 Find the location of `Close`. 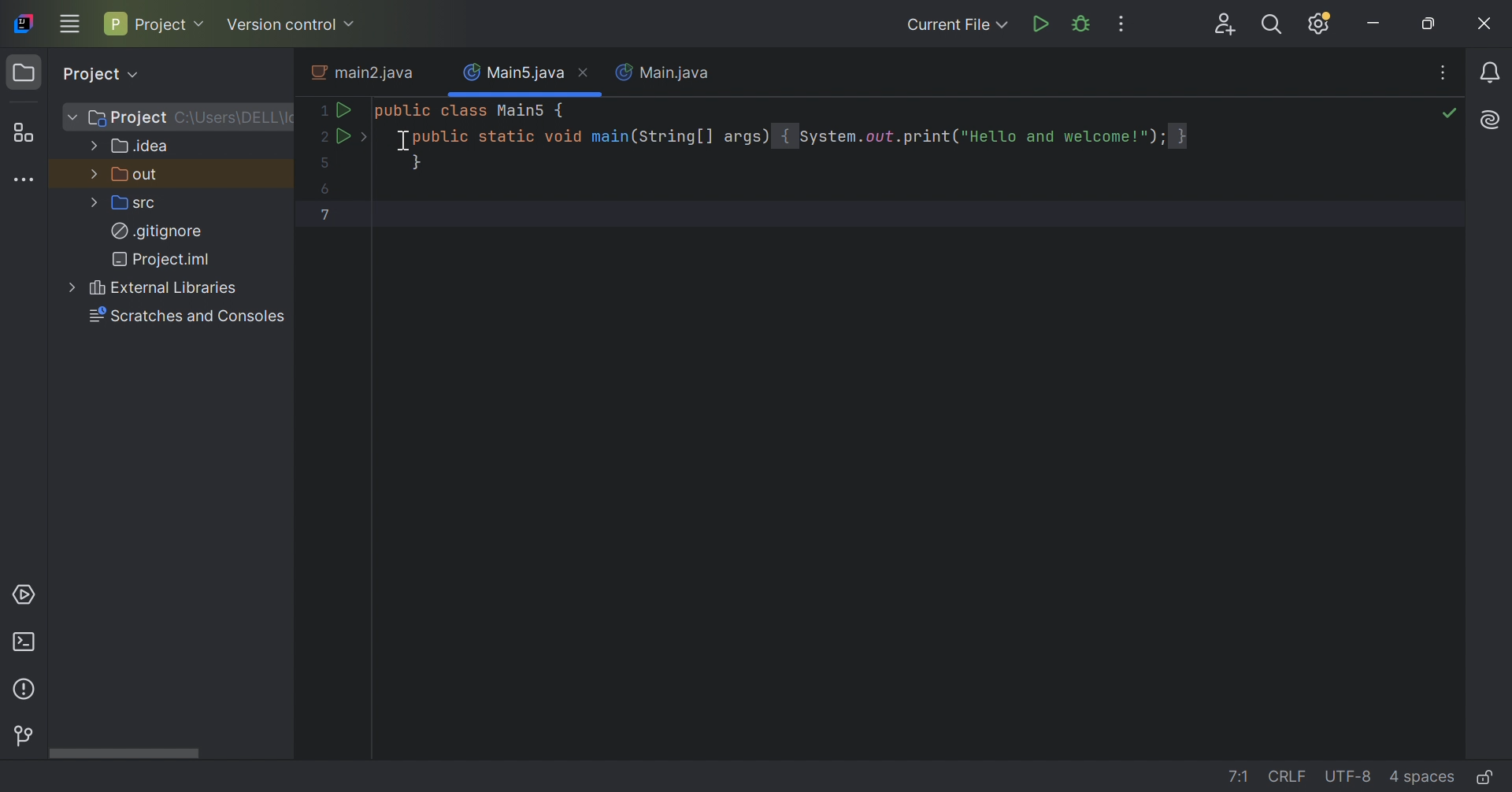

Close is located at coordinates (586, 72).